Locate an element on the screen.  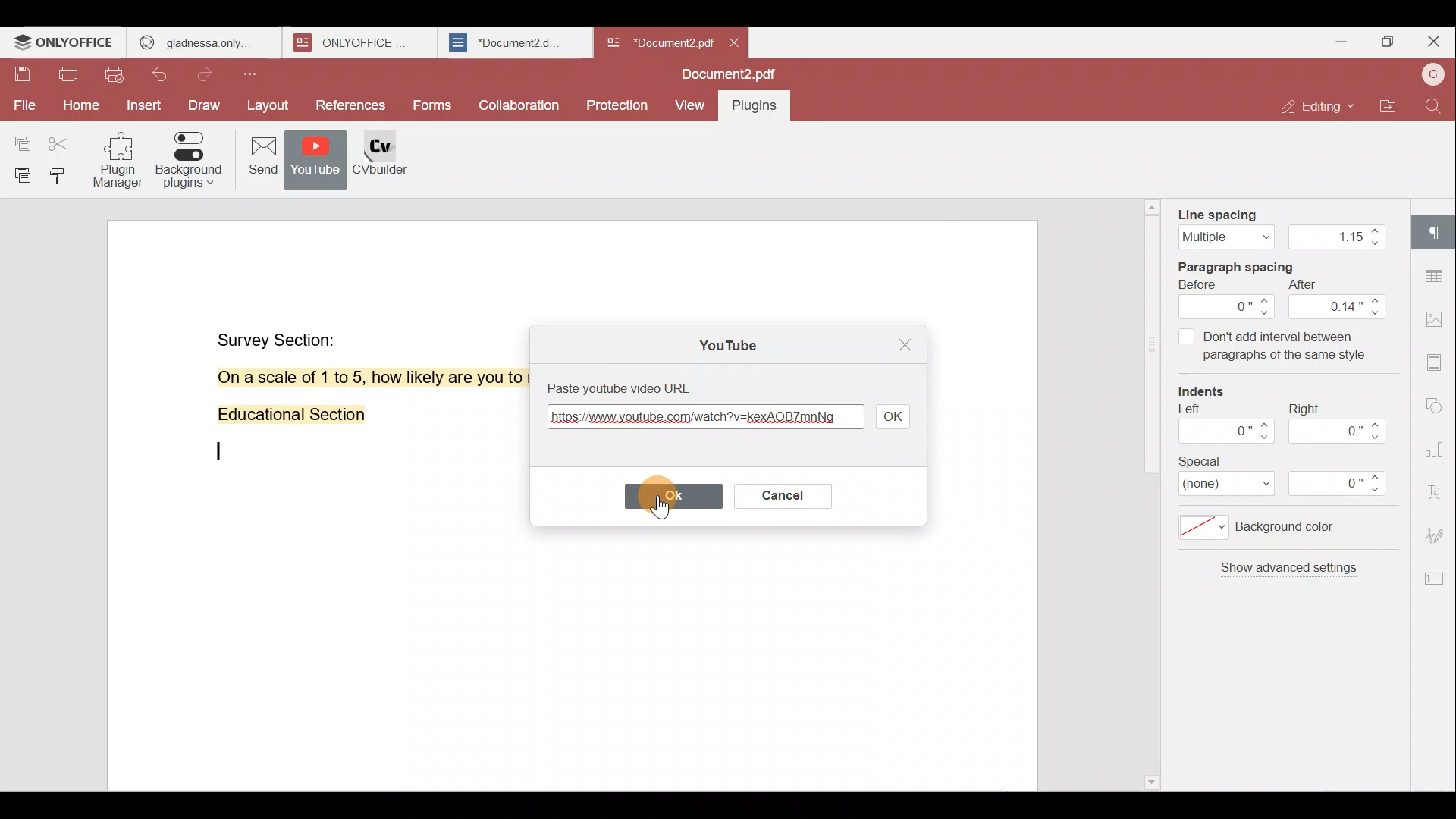
After is located at coordinates (1338, 300).